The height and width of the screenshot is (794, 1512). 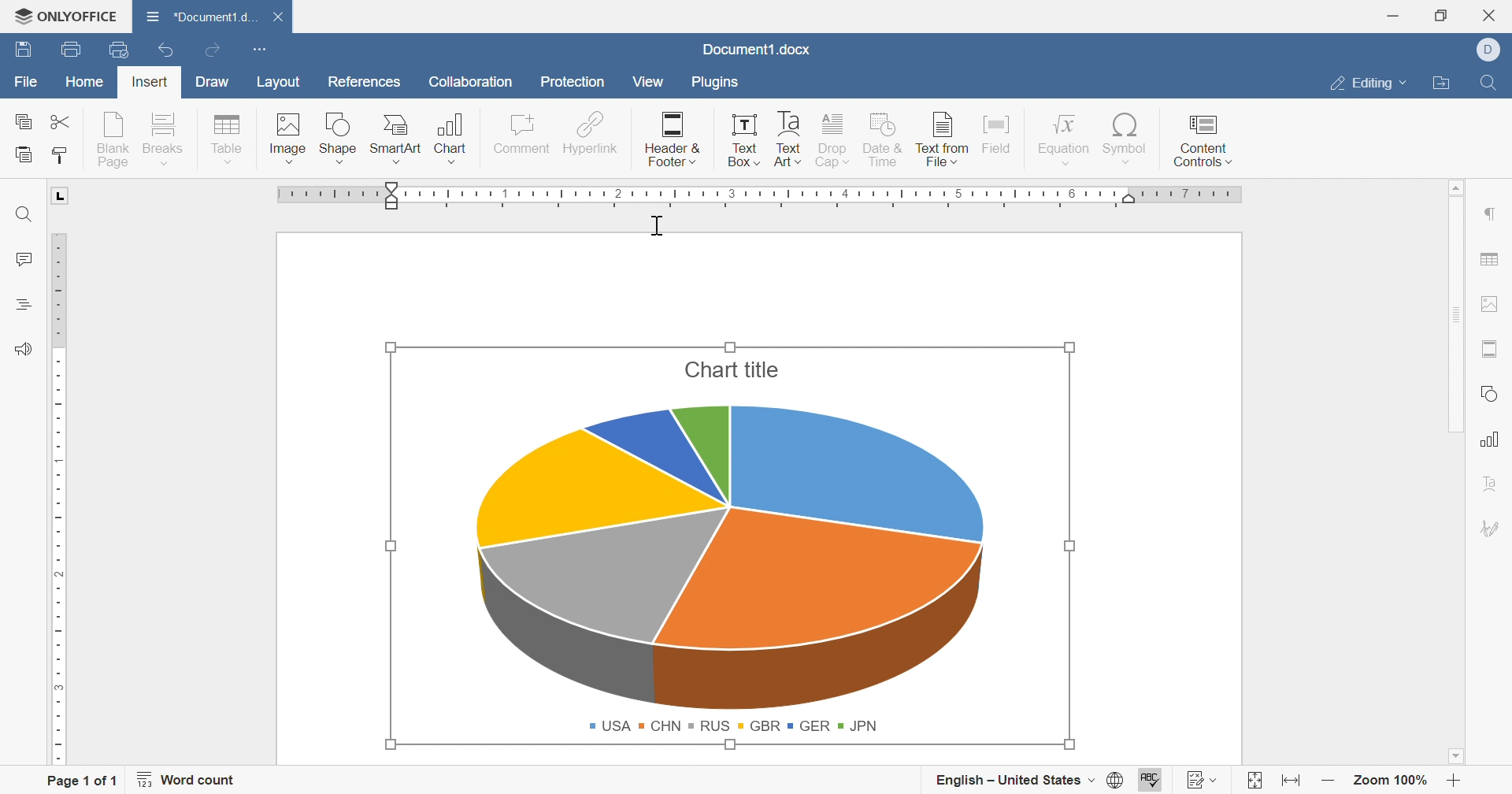 What do you see at coordinates (649, 82) in the screenshot?
I see `View` at bounding box center [649, 82].